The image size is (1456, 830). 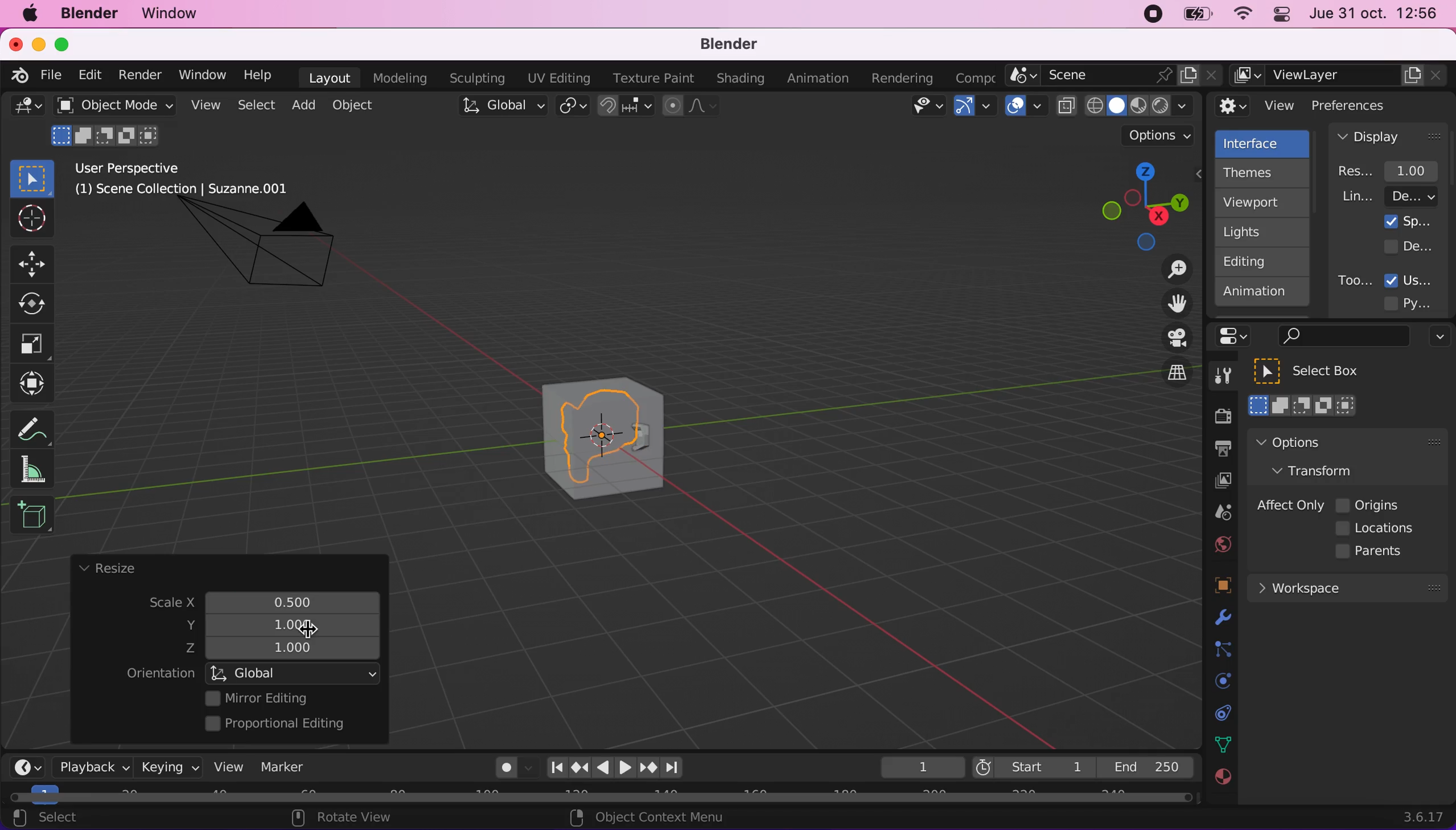 What do you see at coordinates (553, 768) in the screenshot?
I see `jump to end point` at bounding box center [553, 768].